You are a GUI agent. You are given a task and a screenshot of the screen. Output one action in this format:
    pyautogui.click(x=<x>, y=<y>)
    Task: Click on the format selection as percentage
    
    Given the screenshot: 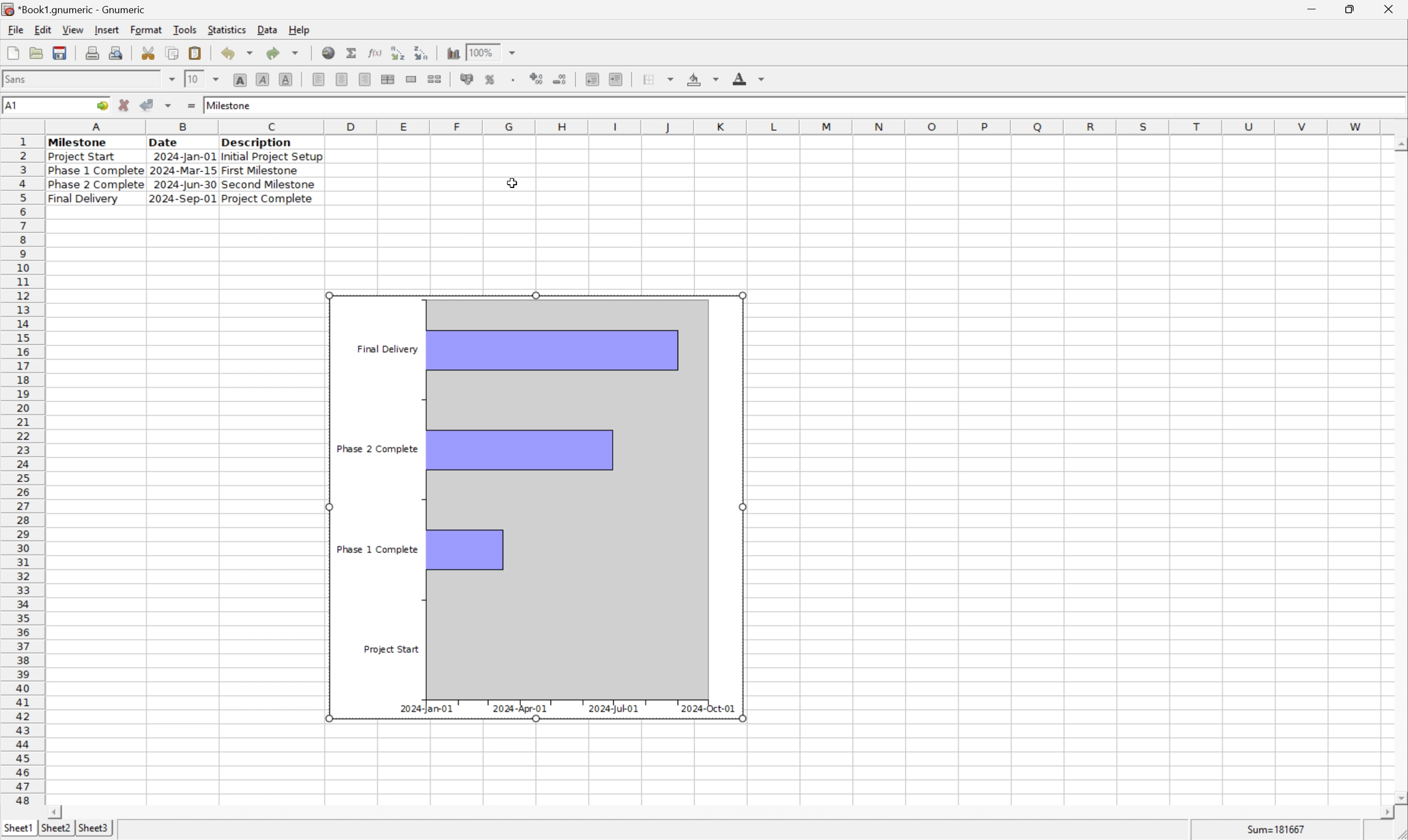 What is the action you would take?
    pyautogui.click(x=491, y=79)
    